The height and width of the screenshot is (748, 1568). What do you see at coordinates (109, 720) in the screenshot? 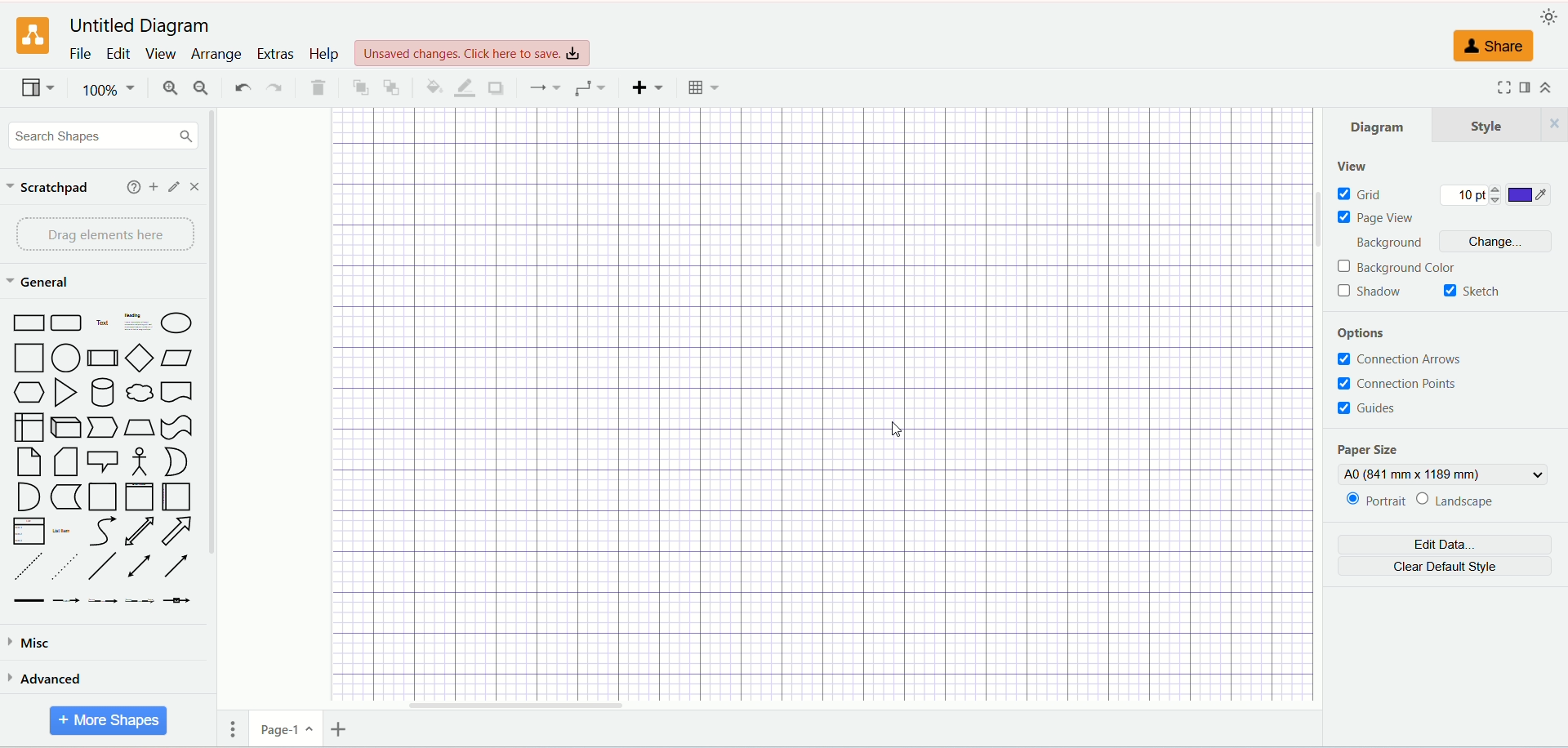
I see `more shapes` at bounding box center [109, 720].